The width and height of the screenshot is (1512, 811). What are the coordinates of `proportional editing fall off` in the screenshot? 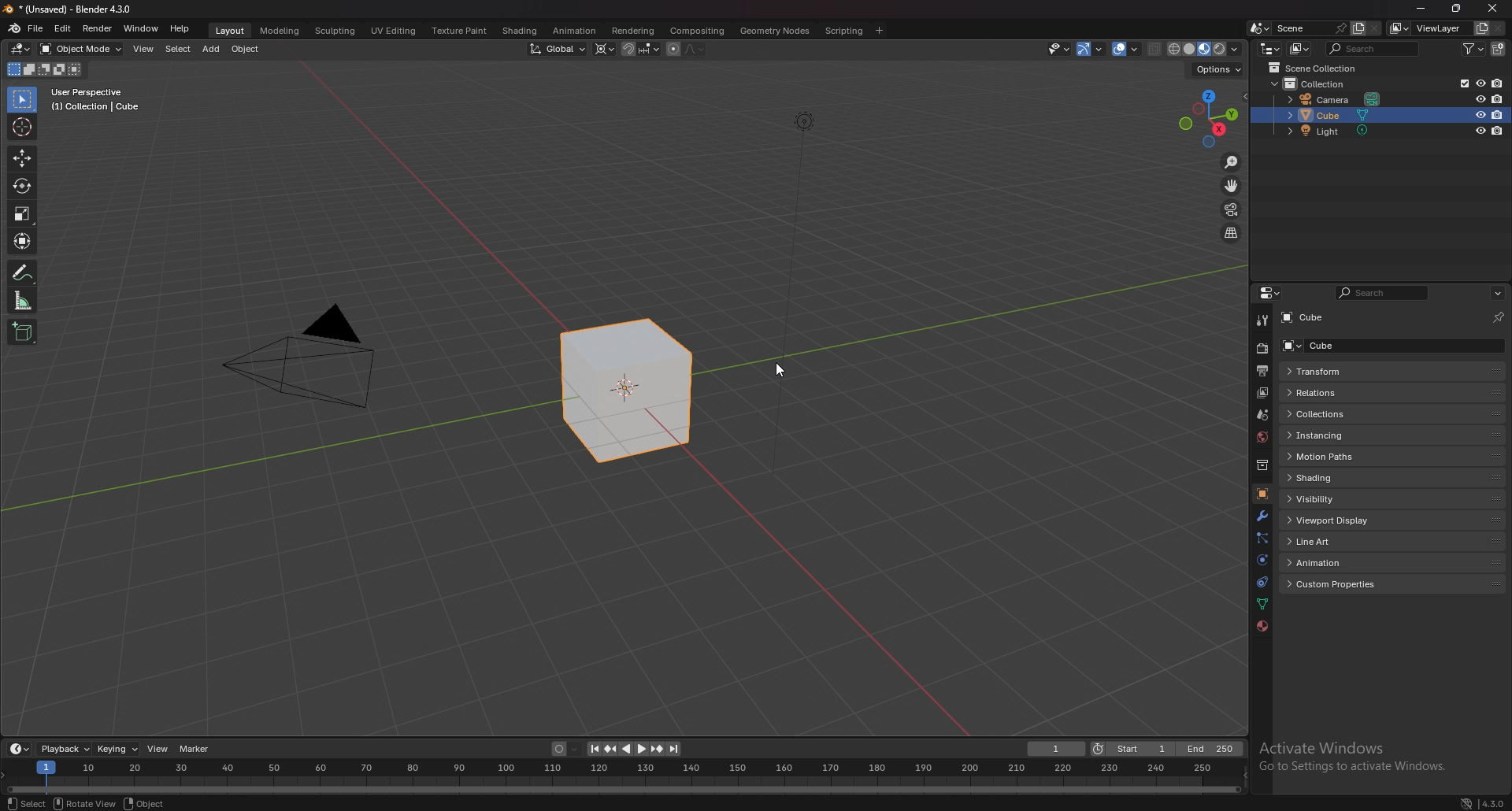 It's located at (693, 50).